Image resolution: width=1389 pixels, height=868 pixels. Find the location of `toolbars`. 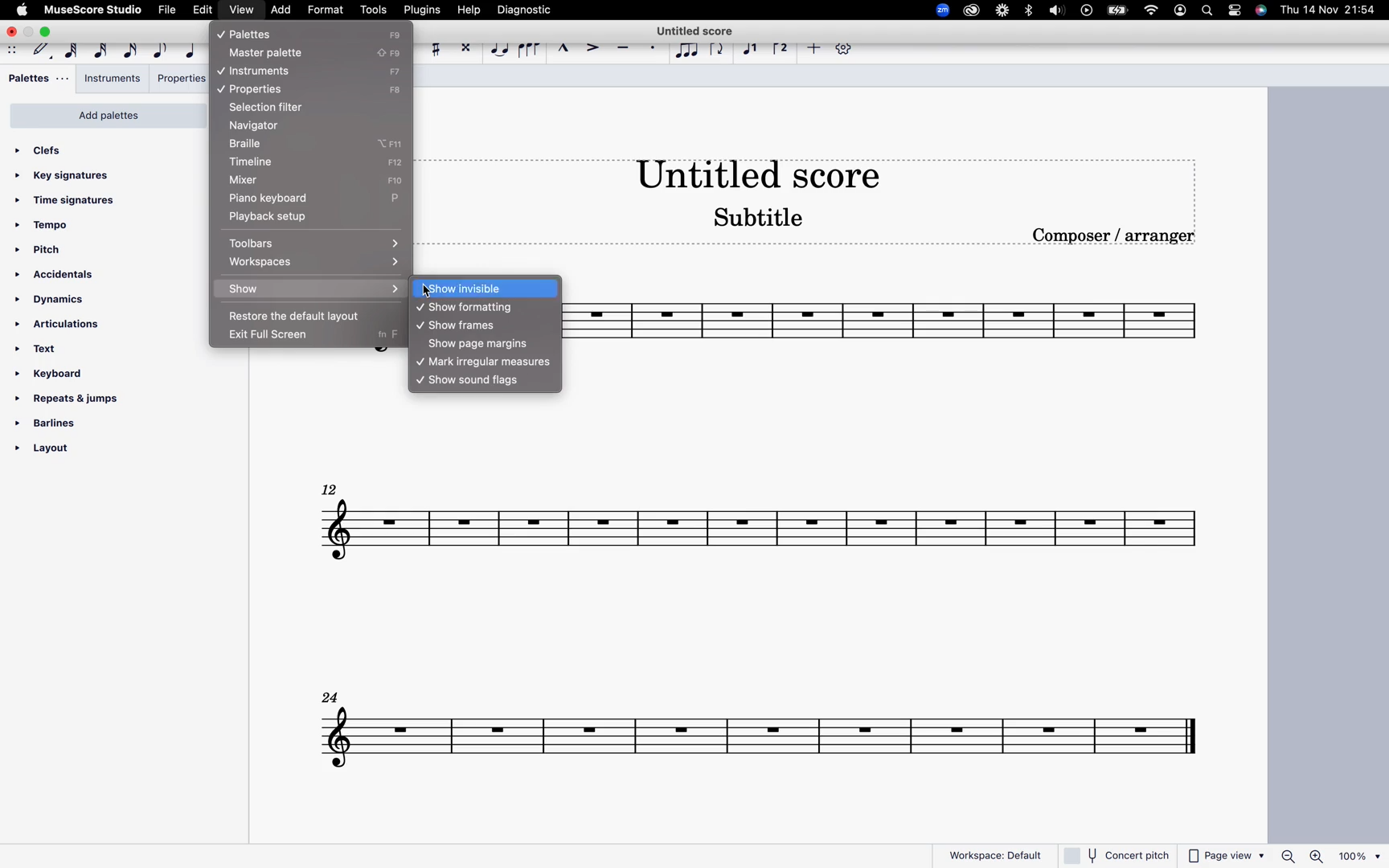

toolbars is located at coordinates (314, 242).